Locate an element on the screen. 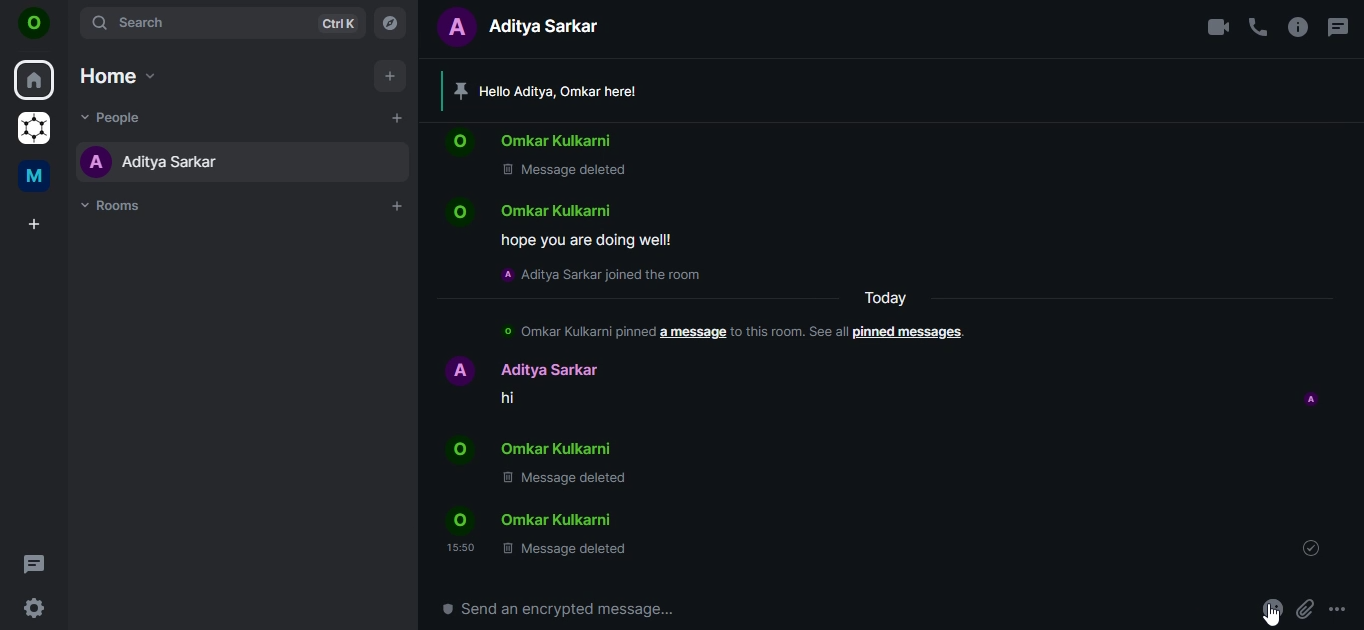  me is located at coordinates (32, 176).